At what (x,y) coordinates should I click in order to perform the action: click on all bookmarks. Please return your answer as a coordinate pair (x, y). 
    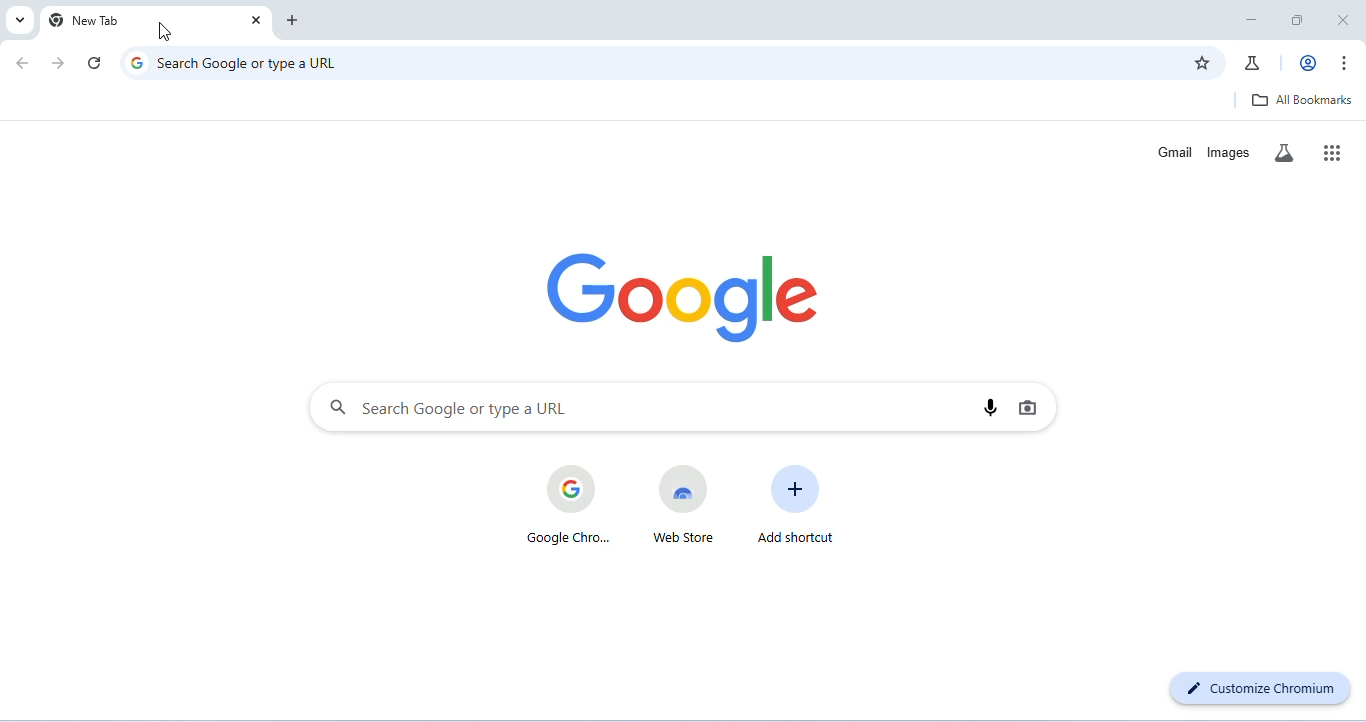
    Looking at the image, I should click on (1304, 100).